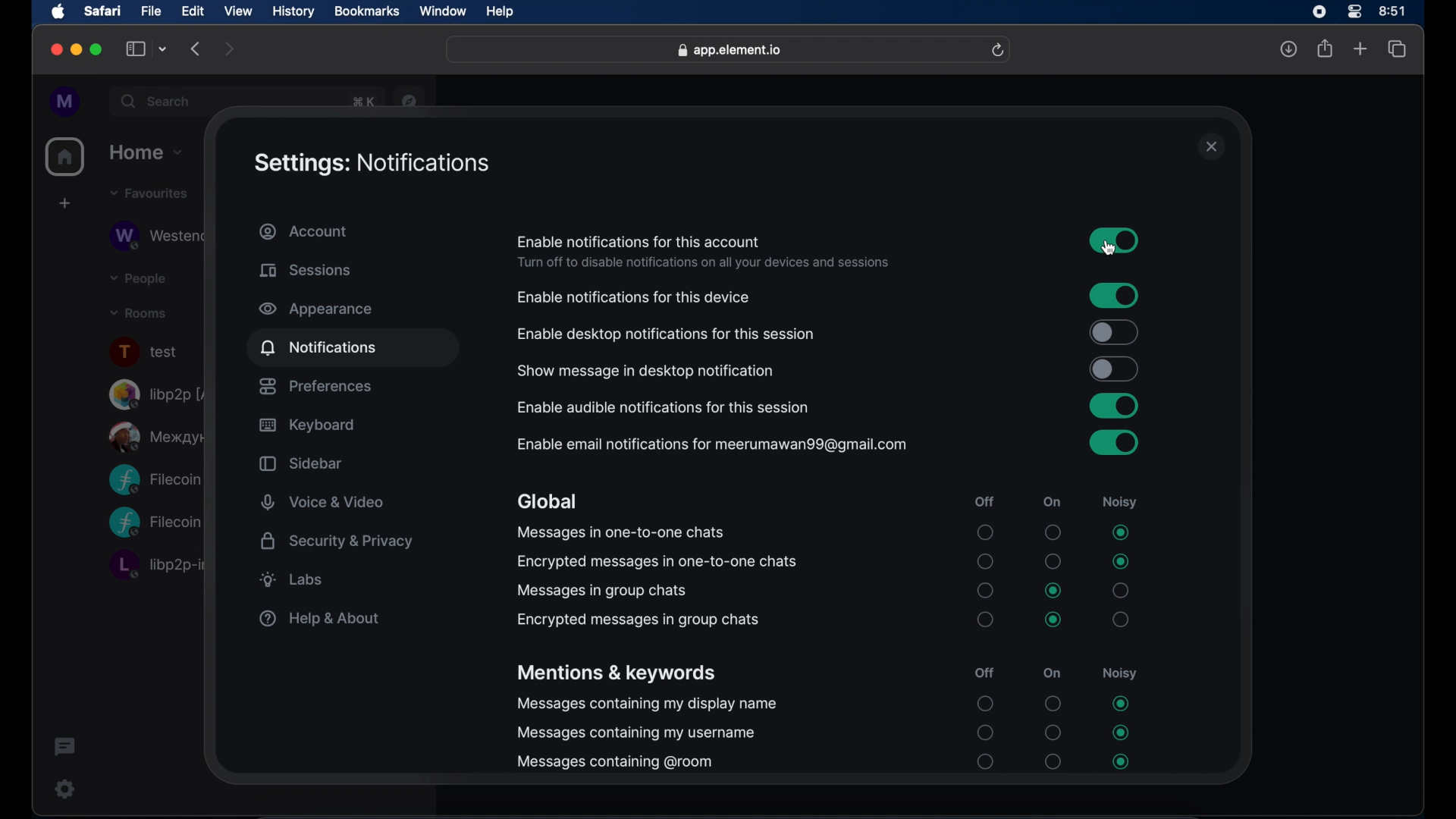  I want to click on cursor, so click(1109, 247).